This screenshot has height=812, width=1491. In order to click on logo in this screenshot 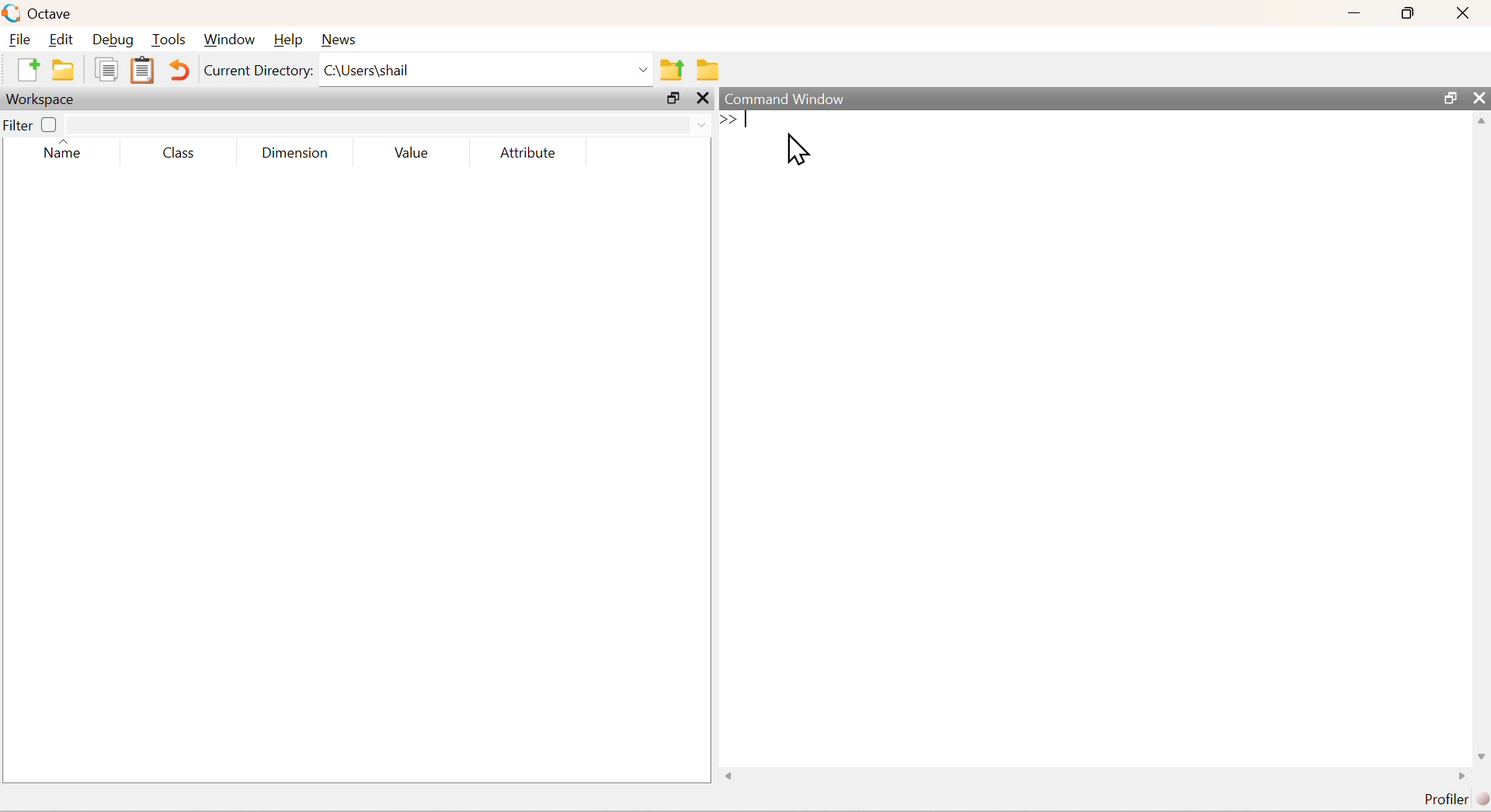, I will do `click(13, 15)`.